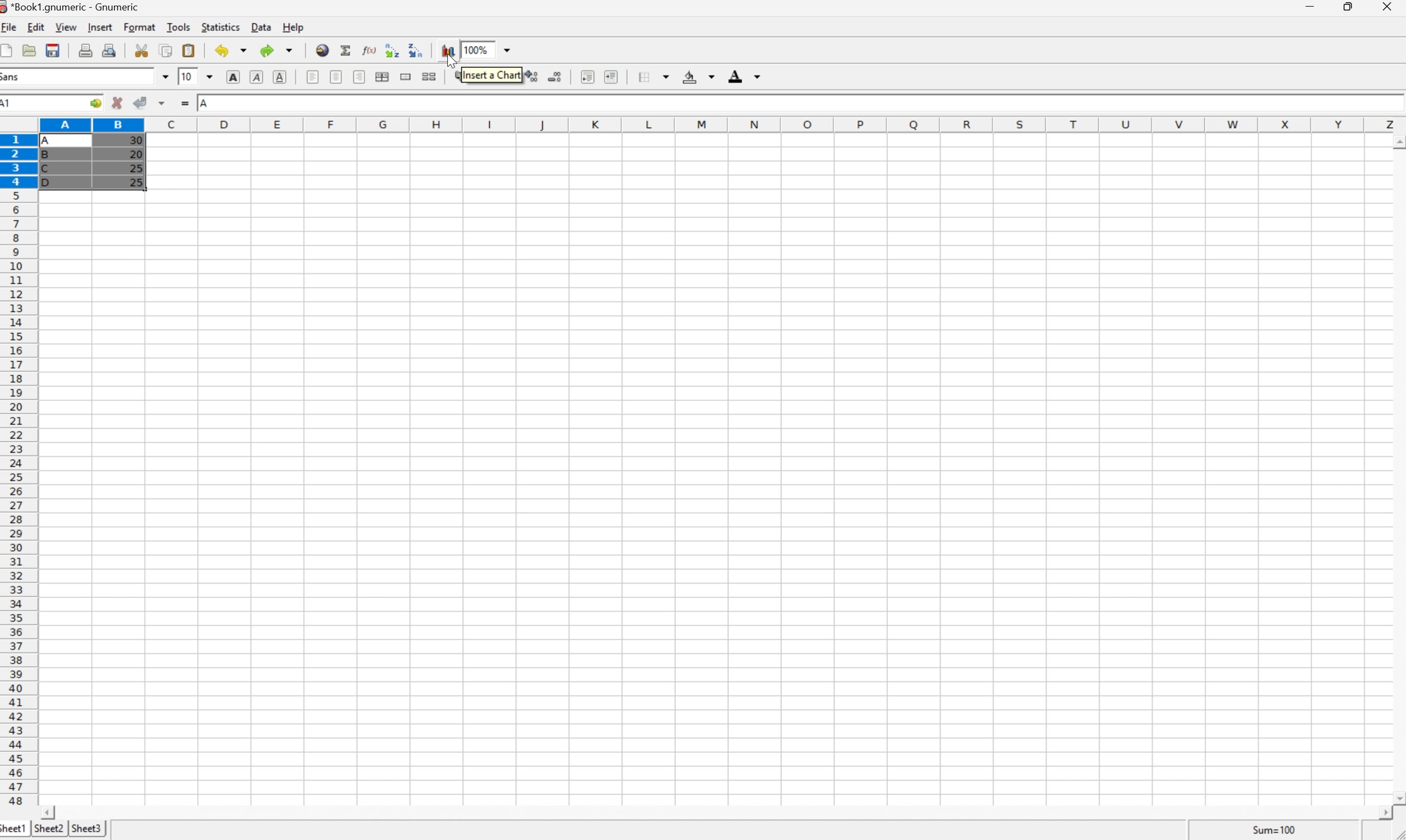 The width and height of the screenshot is (1406, 840). Describe the element at coordinates (475, 49) in the screenshot. I see `100%` at that location.